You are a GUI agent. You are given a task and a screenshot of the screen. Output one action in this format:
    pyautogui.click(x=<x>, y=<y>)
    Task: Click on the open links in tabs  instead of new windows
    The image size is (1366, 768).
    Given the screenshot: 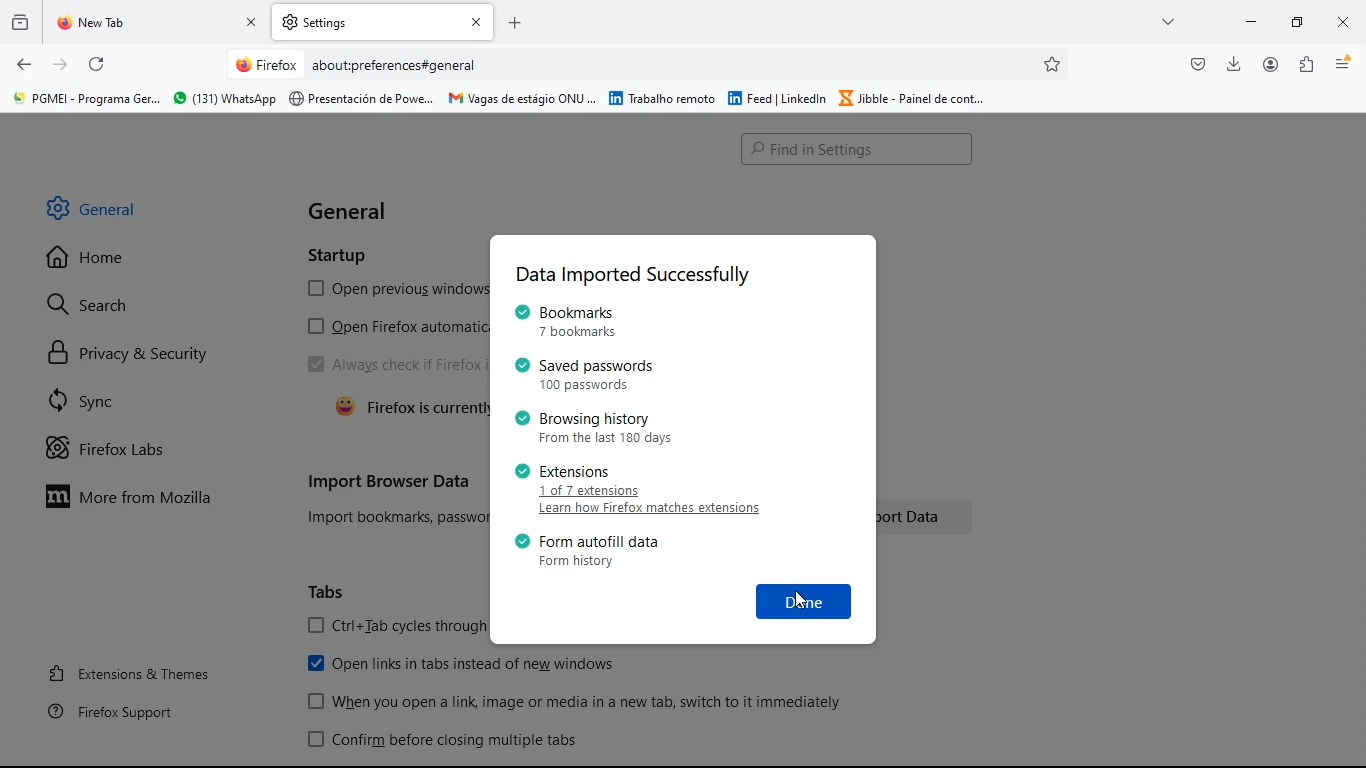 What is the action you would take?
    pyautogui.click(x=470, y=666)
    